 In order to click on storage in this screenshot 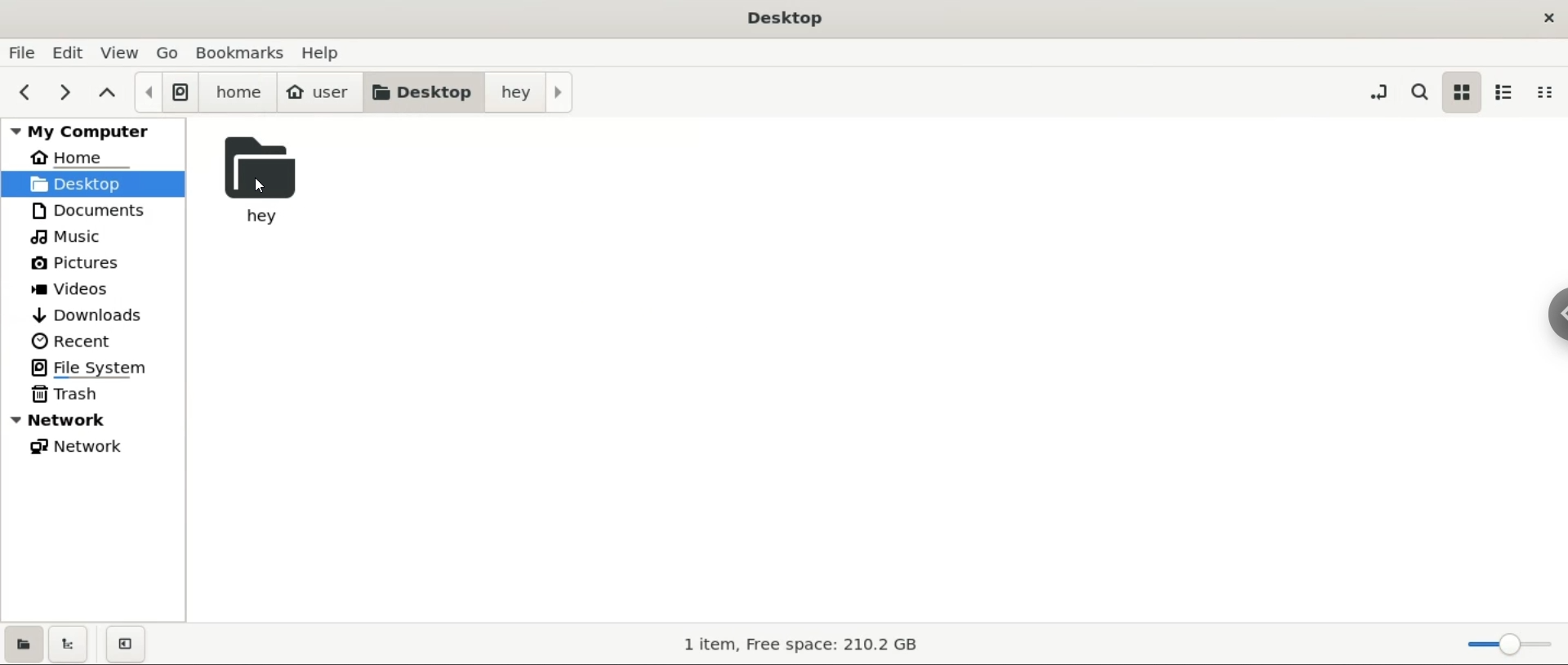, I will do `click(800, 645)`.